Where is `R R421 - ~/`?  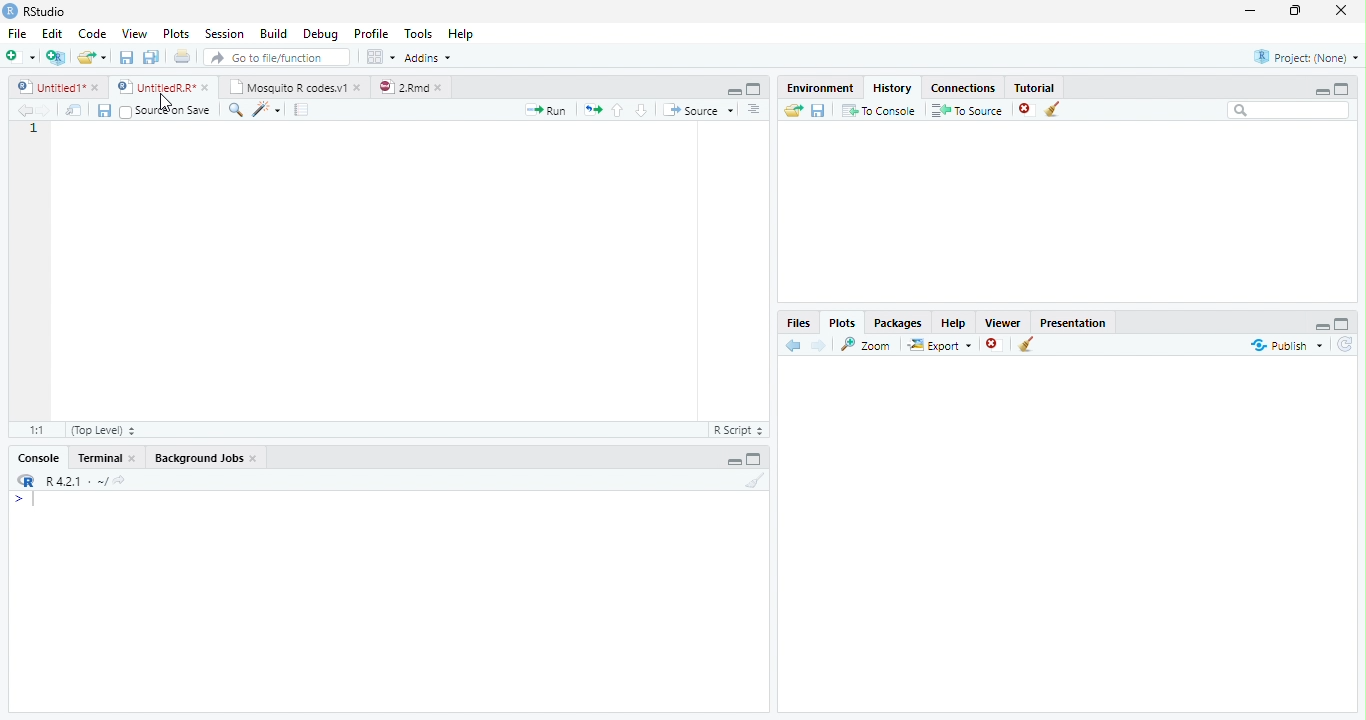
R R421 - ~/ is located at coordinates (69, 481).